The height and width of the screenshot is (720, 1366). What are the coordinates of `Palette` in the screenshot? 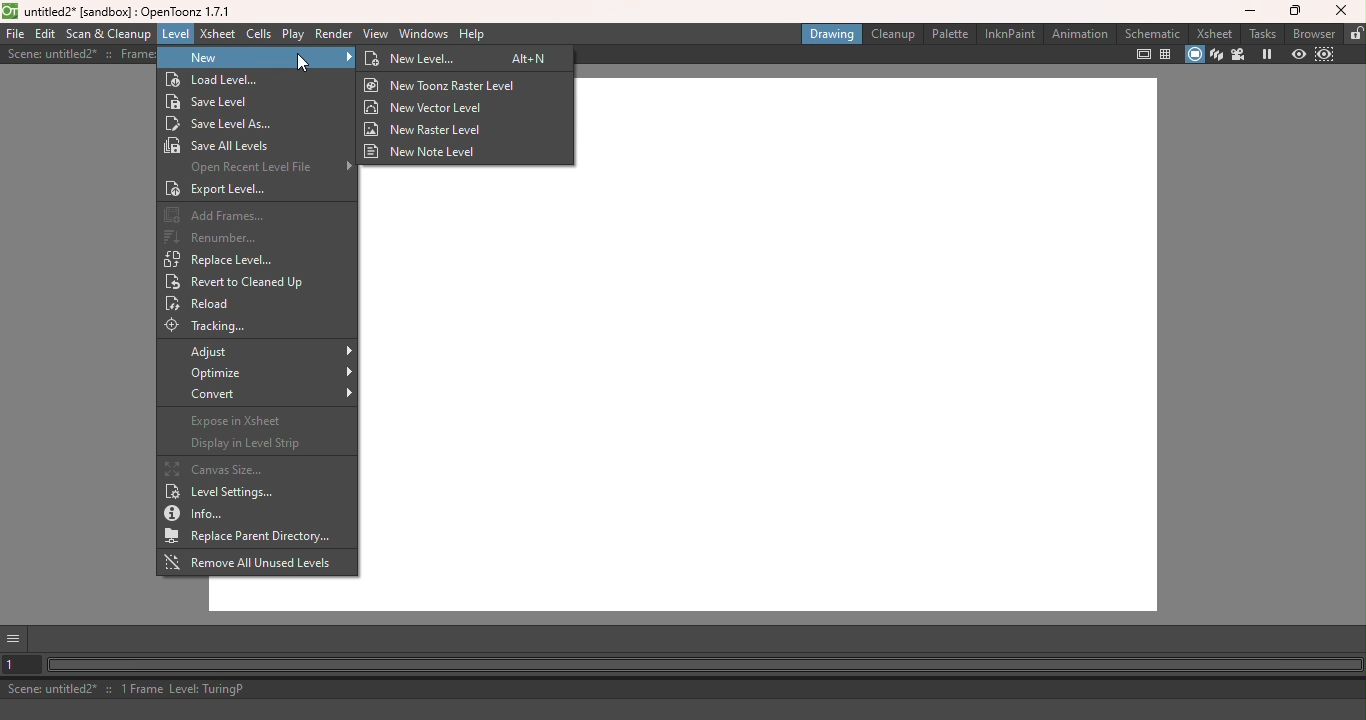 It's located at (949, 34).